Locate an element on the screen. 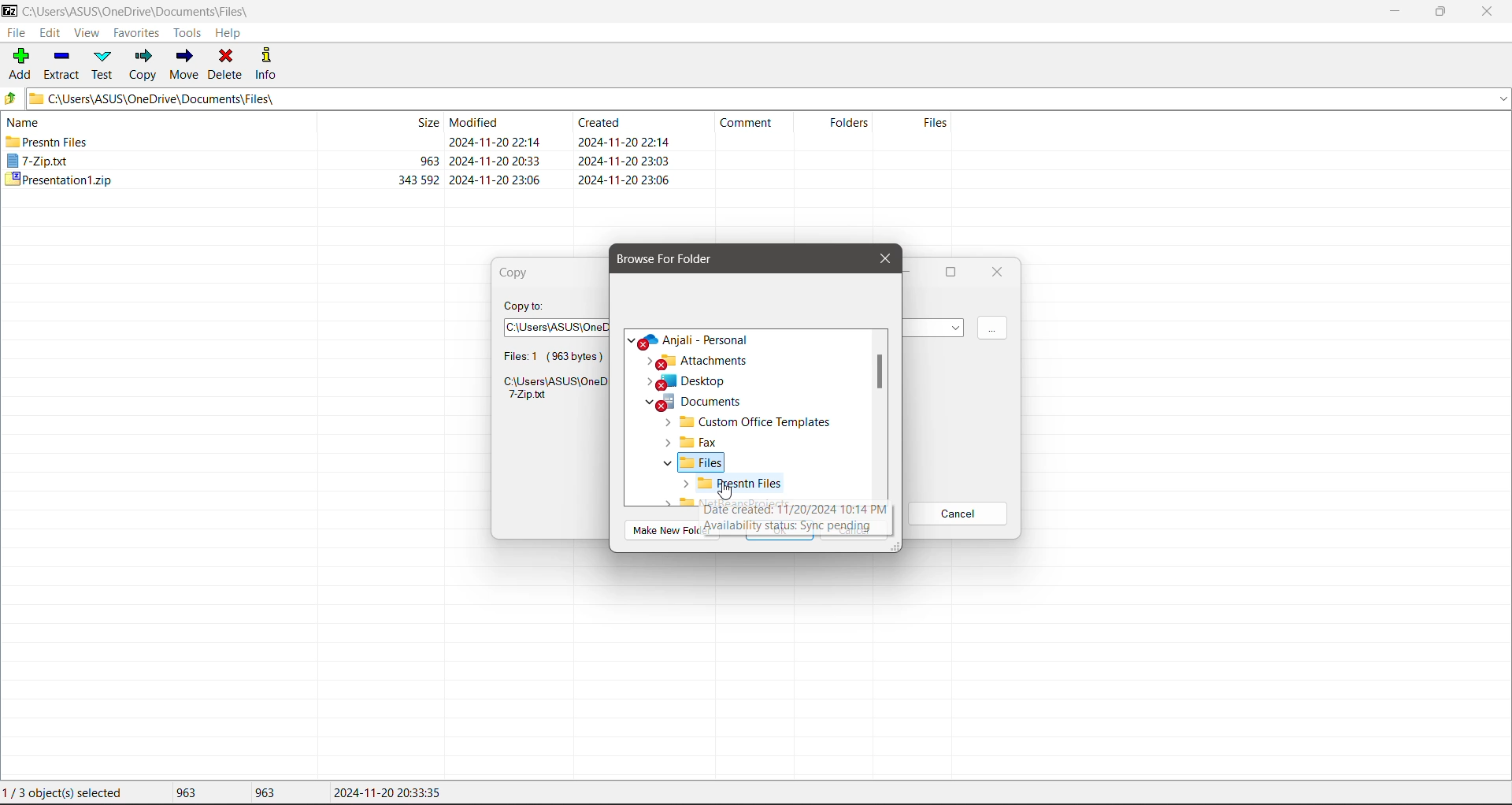  Copy is located at coordinates (521, 274).